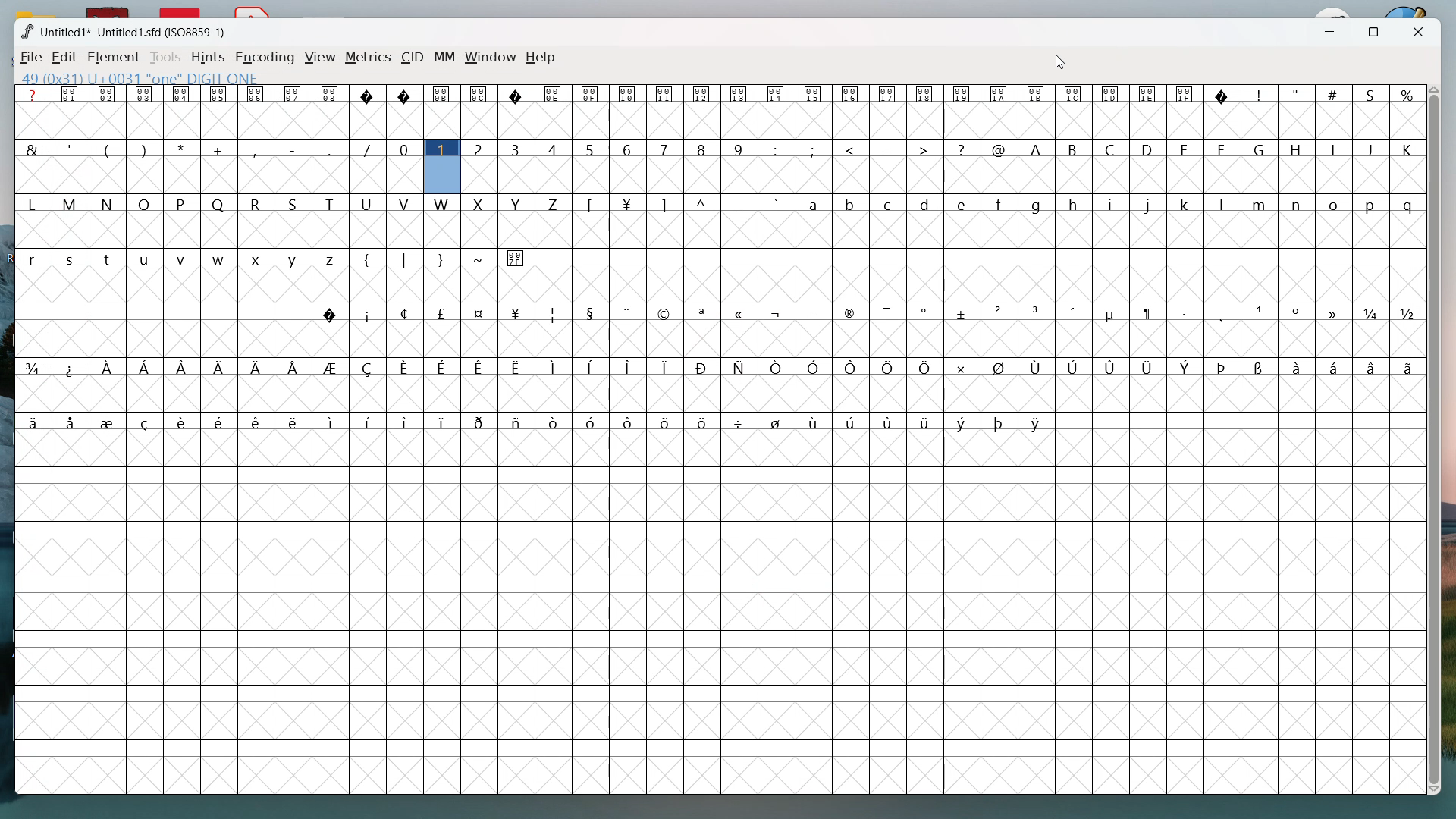 The height and width of the screenshot is (819, 1456). What do you see at coordinates (739, 149) in the screenshot?
I see `9` at bounding box center [739, 149].